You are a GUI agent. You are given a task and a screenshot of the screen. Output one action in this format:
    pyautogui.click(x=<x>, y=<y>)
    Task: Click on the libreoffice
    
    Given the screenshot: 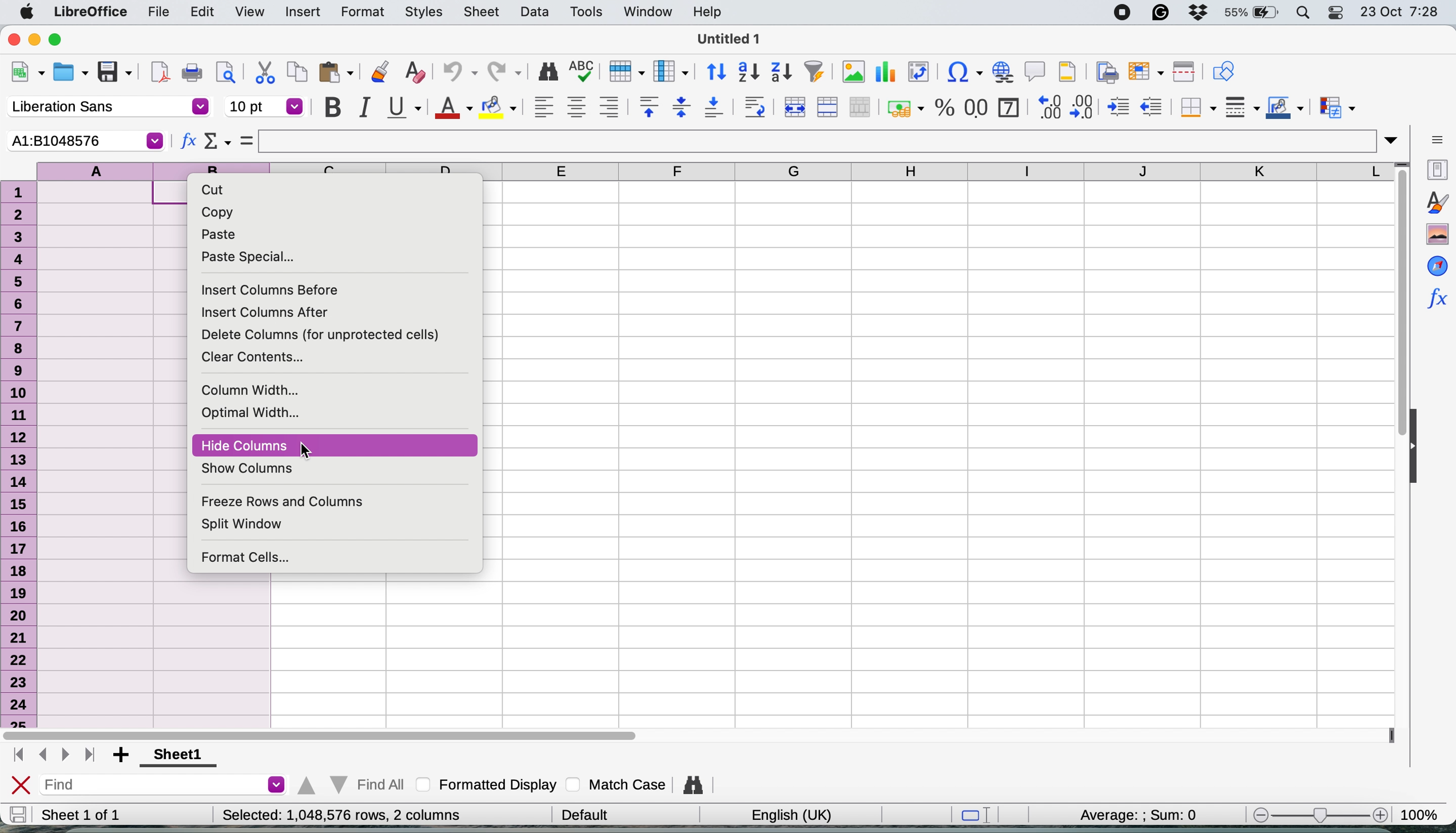 What is the action you would take?
    pyautogui.click(x=92, y=12)
    